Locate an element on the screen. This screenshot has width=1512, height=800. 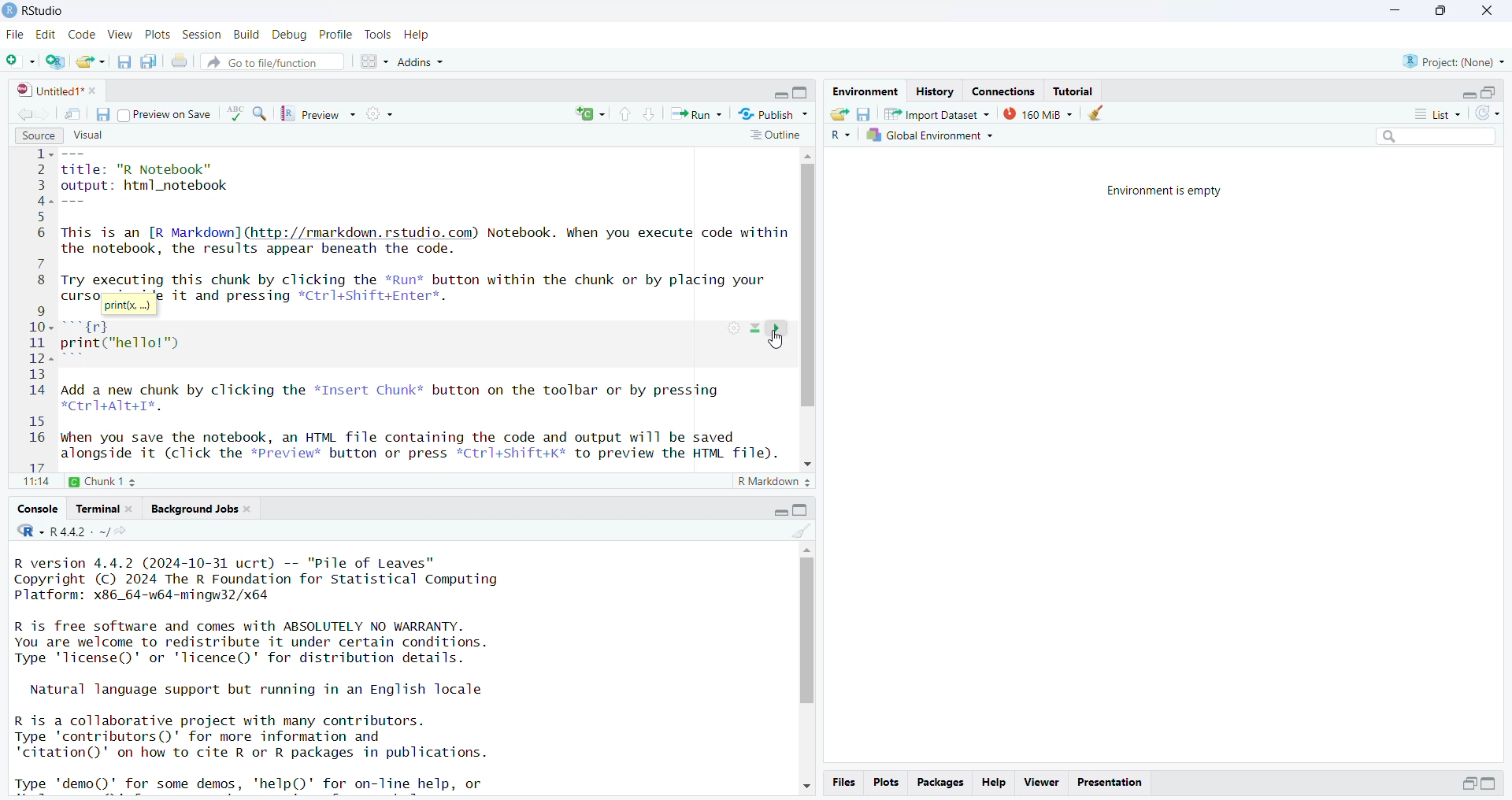
expand is located at coordinates (1469, 783).